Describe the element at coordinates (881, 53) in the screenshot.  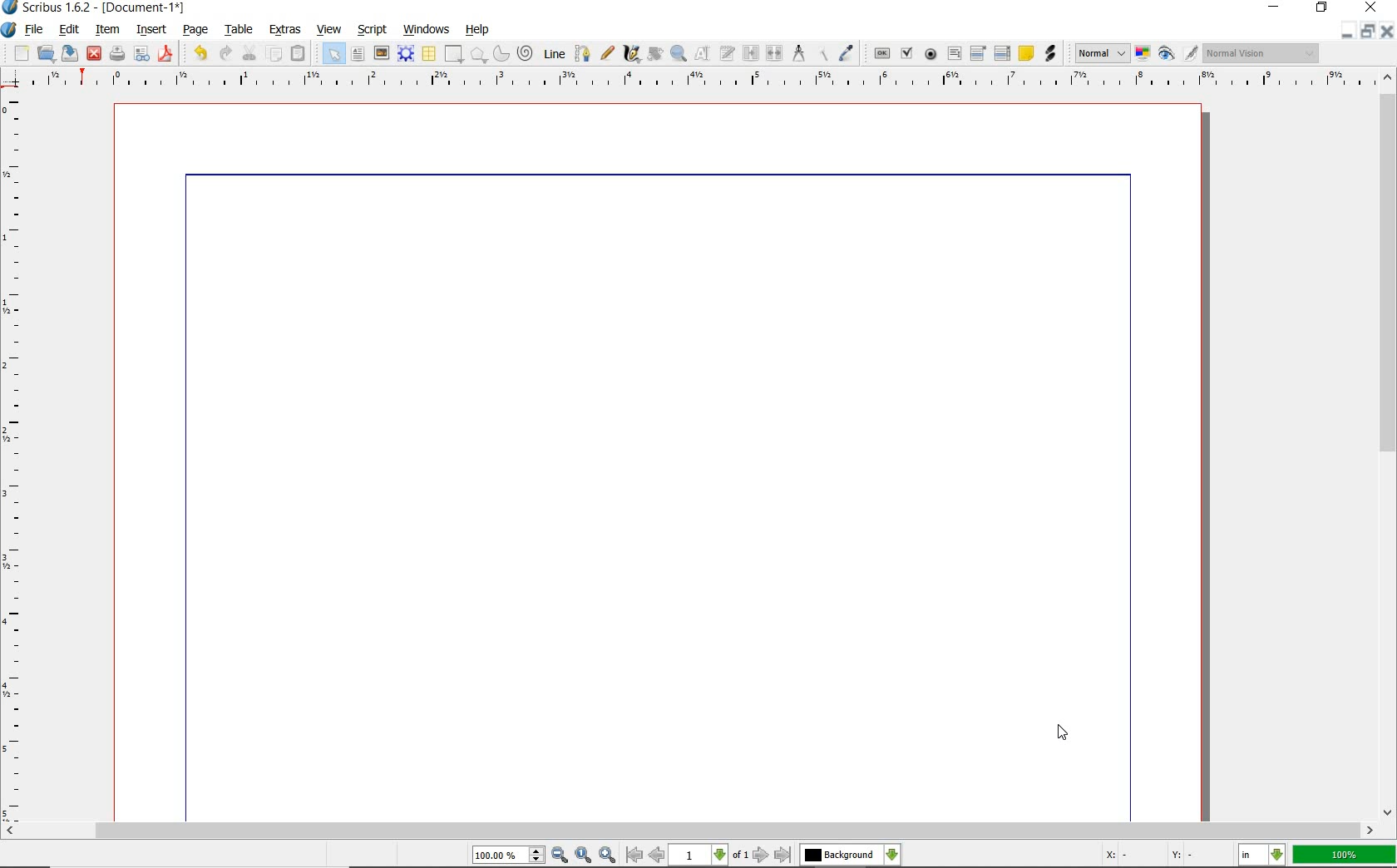
I see `pdf push button` at that location.